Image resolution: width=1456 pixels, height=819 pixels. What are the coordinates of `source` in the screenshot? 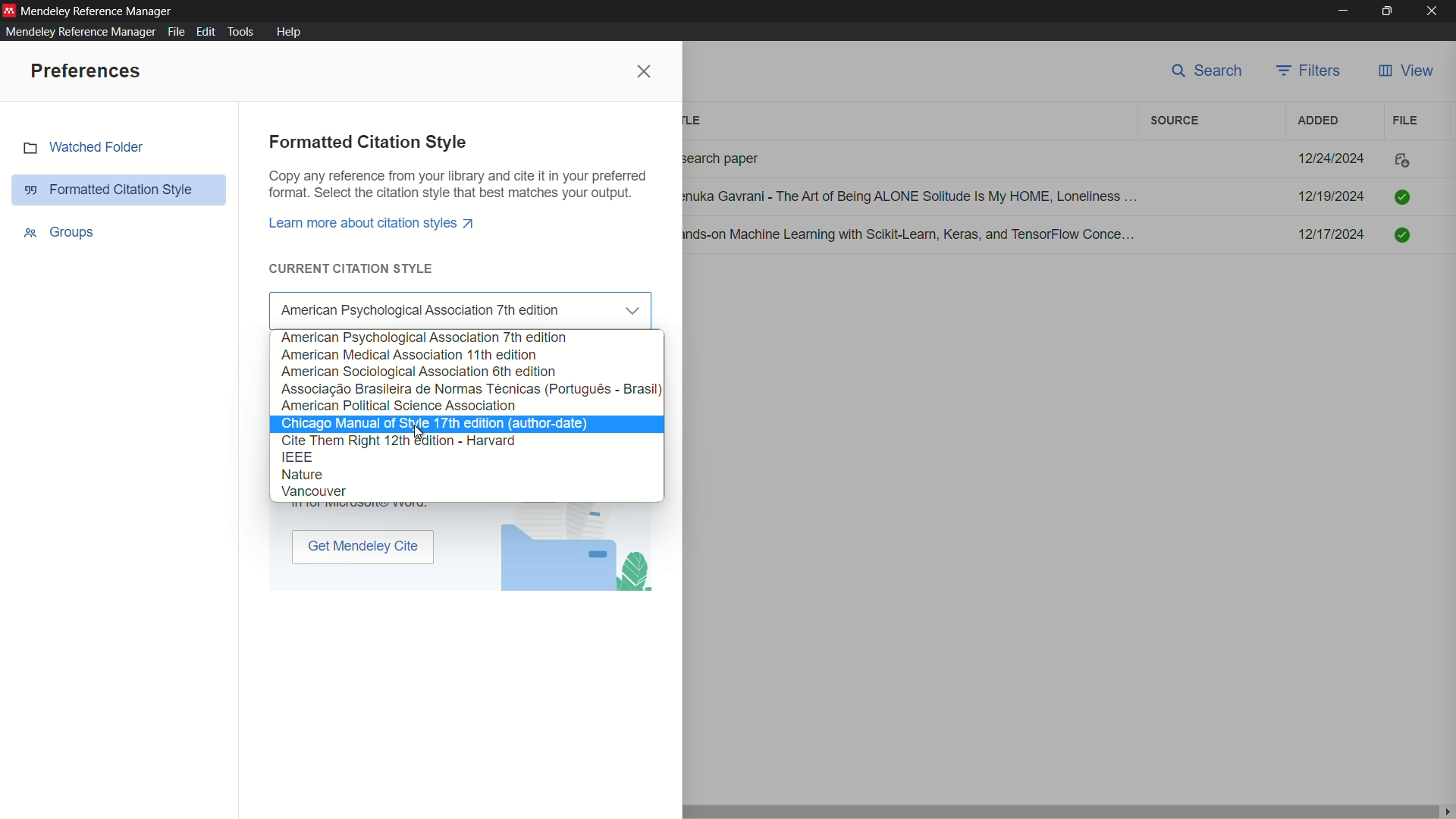 It's located at (1175, 121).